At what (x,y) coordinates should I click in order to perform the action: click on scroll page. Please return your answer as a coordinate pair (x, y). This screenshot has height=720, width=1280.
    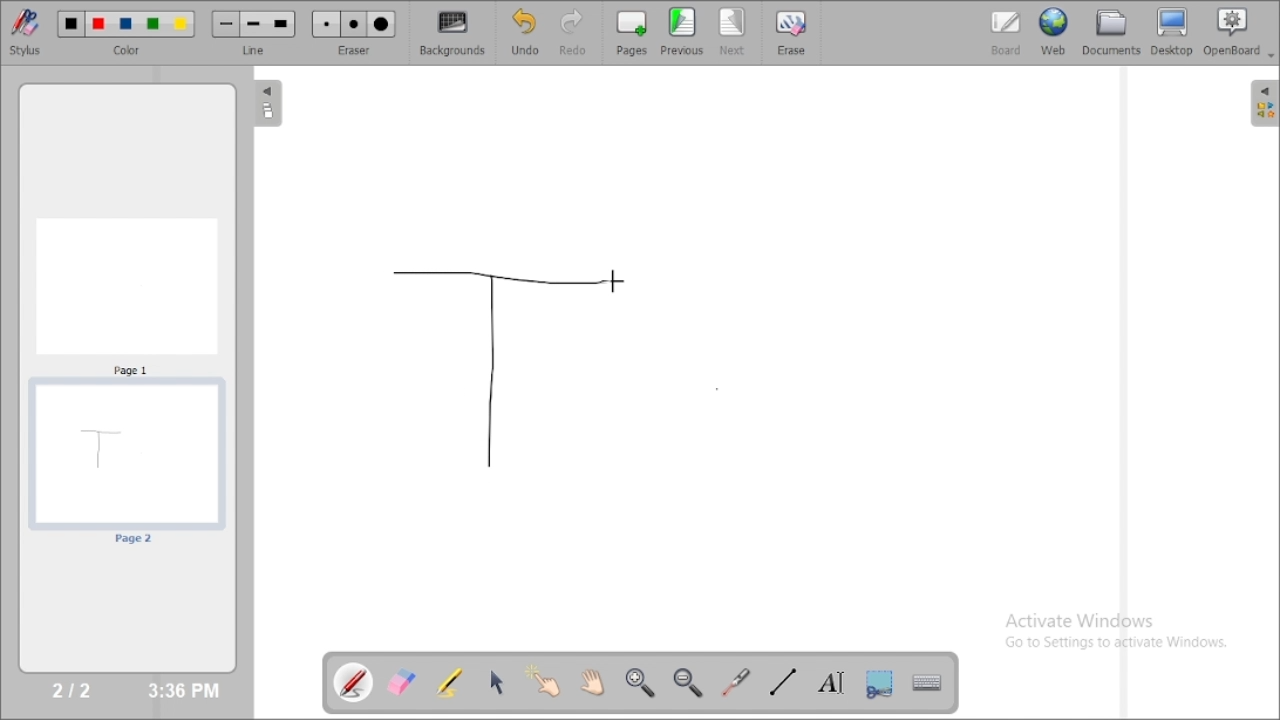
    Looking at the image, I should click on (591, 681).